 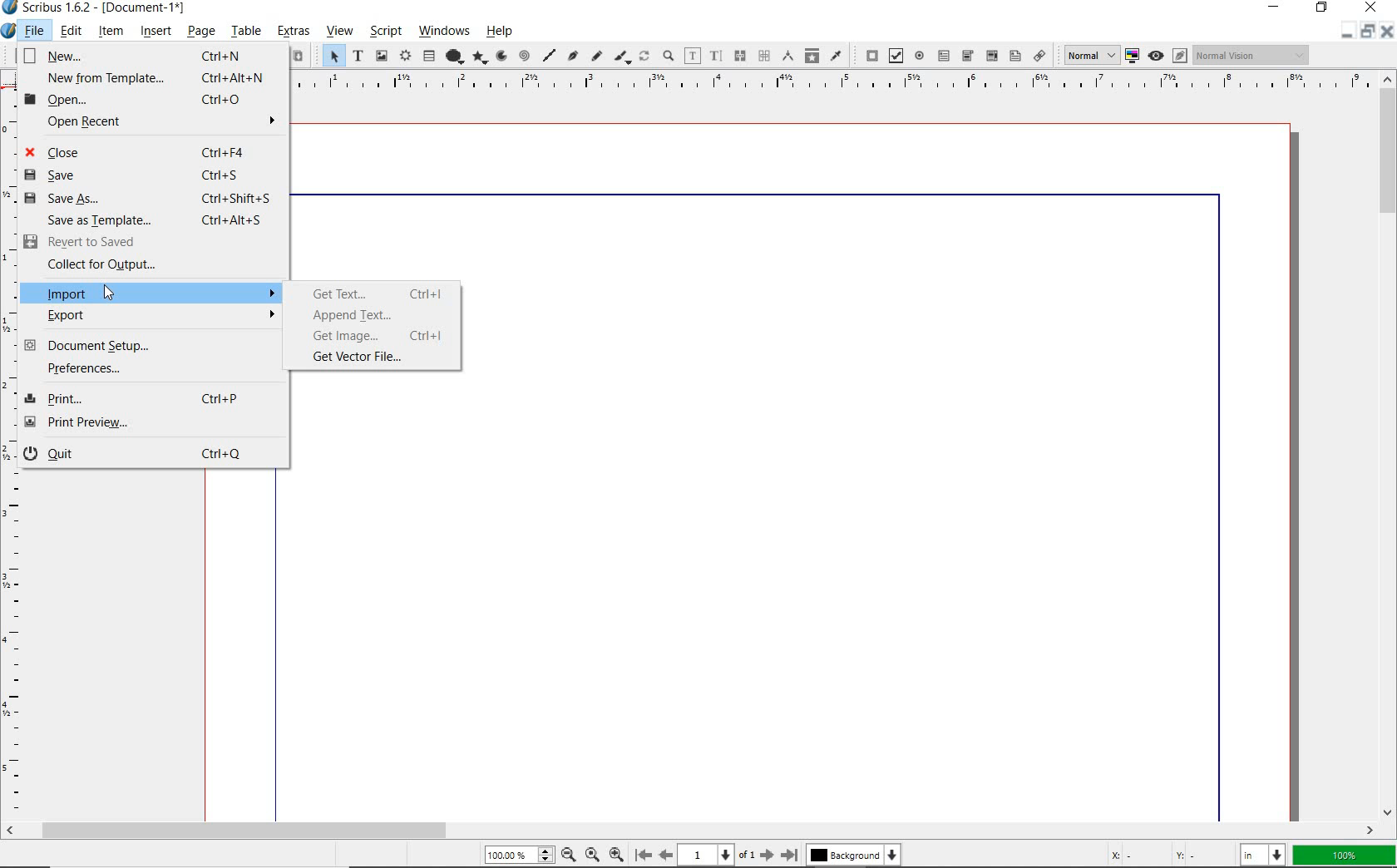 What do you see at coordinates (500, 31) in the screenshot?
I see `help` at bounding box center [500, 31].